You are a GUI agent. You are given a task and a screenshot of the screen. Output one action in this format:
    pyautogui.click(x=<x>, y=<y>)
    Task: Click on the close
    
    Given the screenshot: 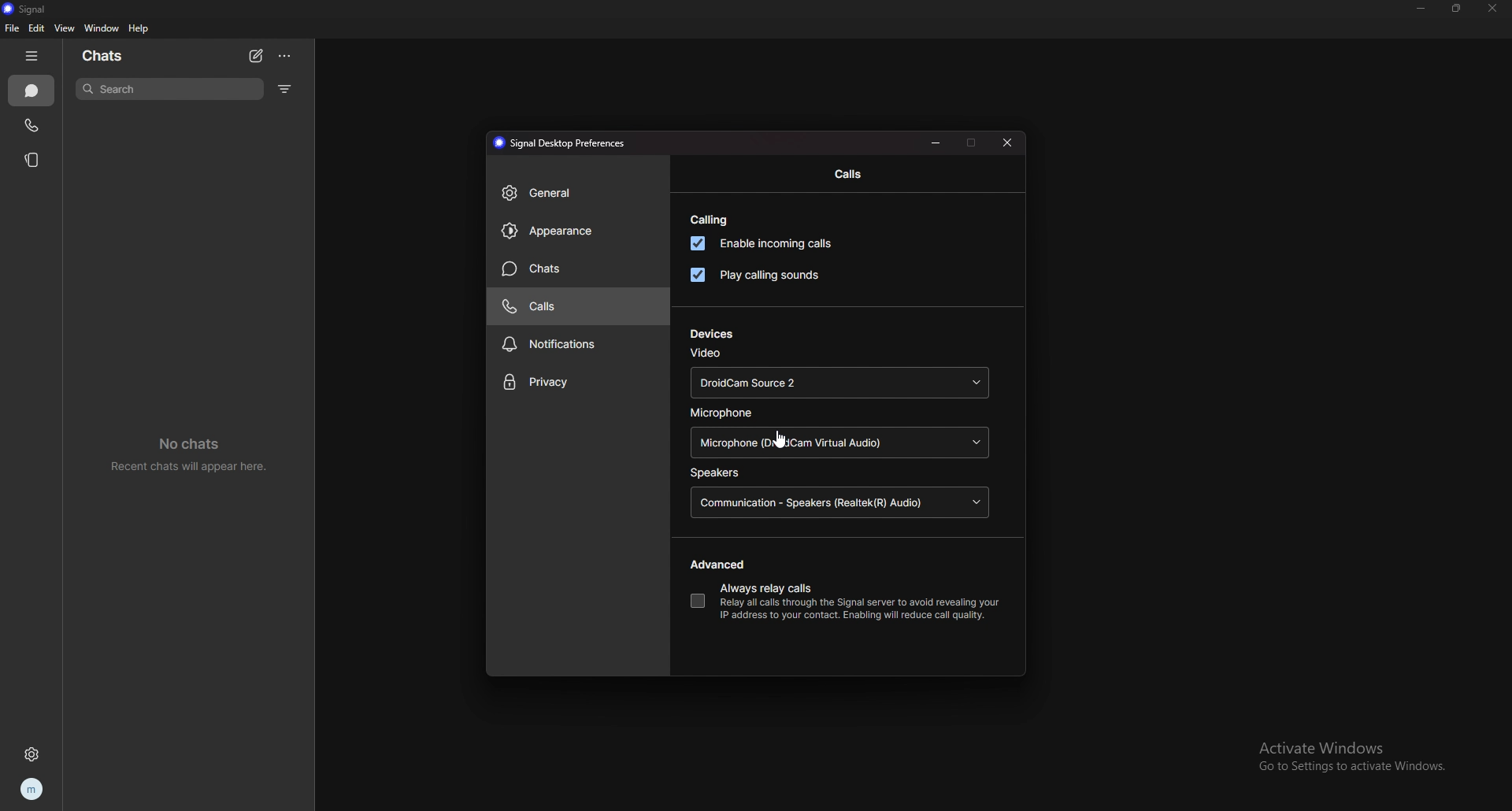 What is the action you would take?
    pyautogui.click(x=1010, y=141)
    